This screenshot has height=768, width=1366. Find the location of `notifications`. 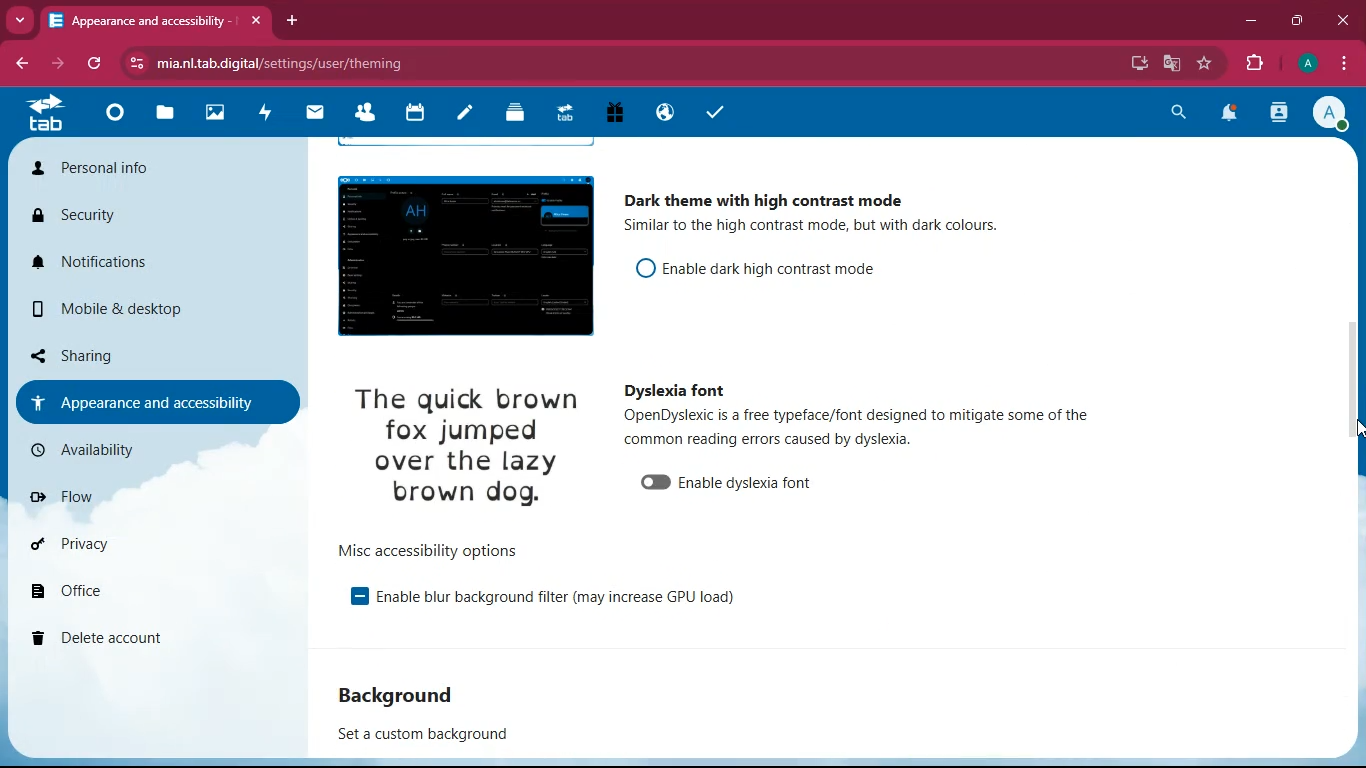

notifications is located at coordinates (137, 261).